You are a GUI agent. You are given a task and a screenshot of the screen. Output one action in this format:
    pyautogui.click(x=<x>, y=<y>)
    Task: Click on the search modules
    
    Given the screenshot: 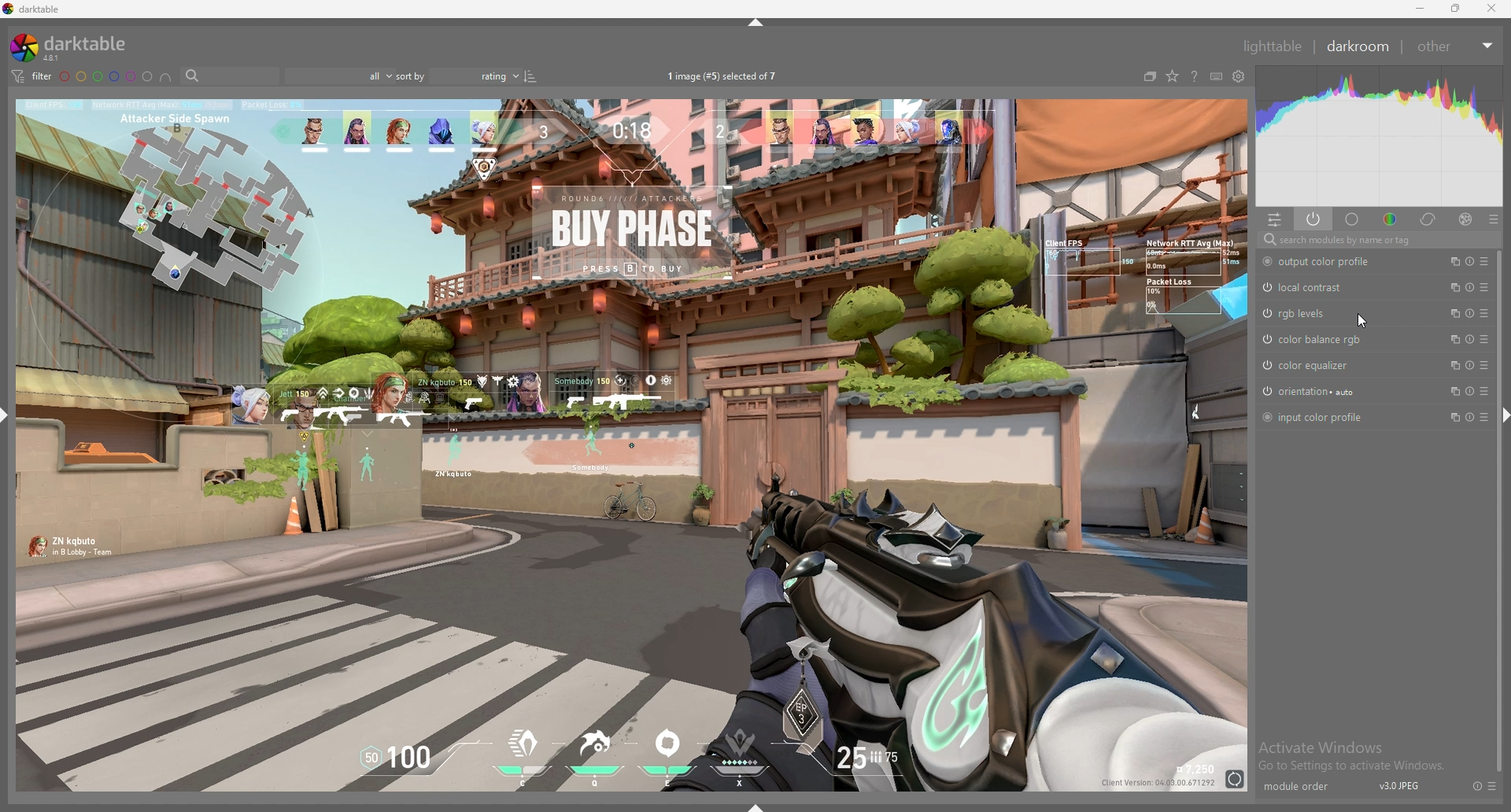 What is the action you would take?
    pyautogui.click(x=1379, y=241)
    